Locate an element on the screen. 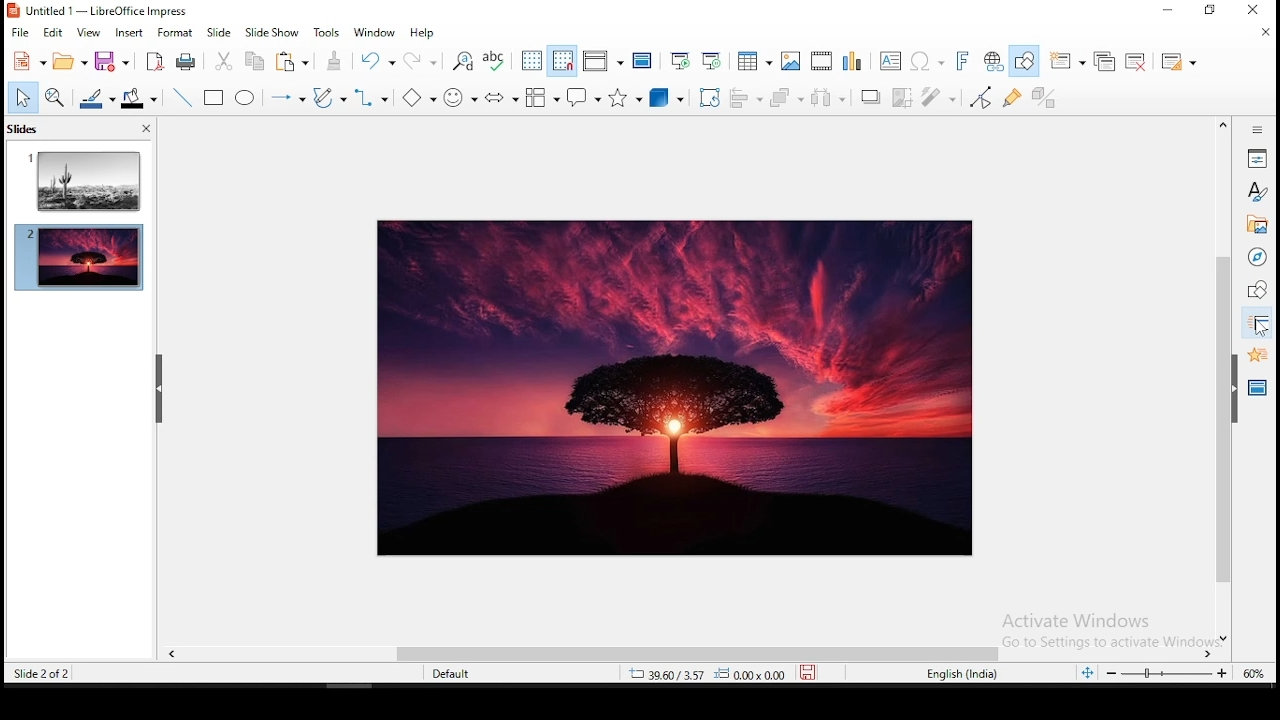 The image size is (1280, 720). open is located at coordinates (67, 61).